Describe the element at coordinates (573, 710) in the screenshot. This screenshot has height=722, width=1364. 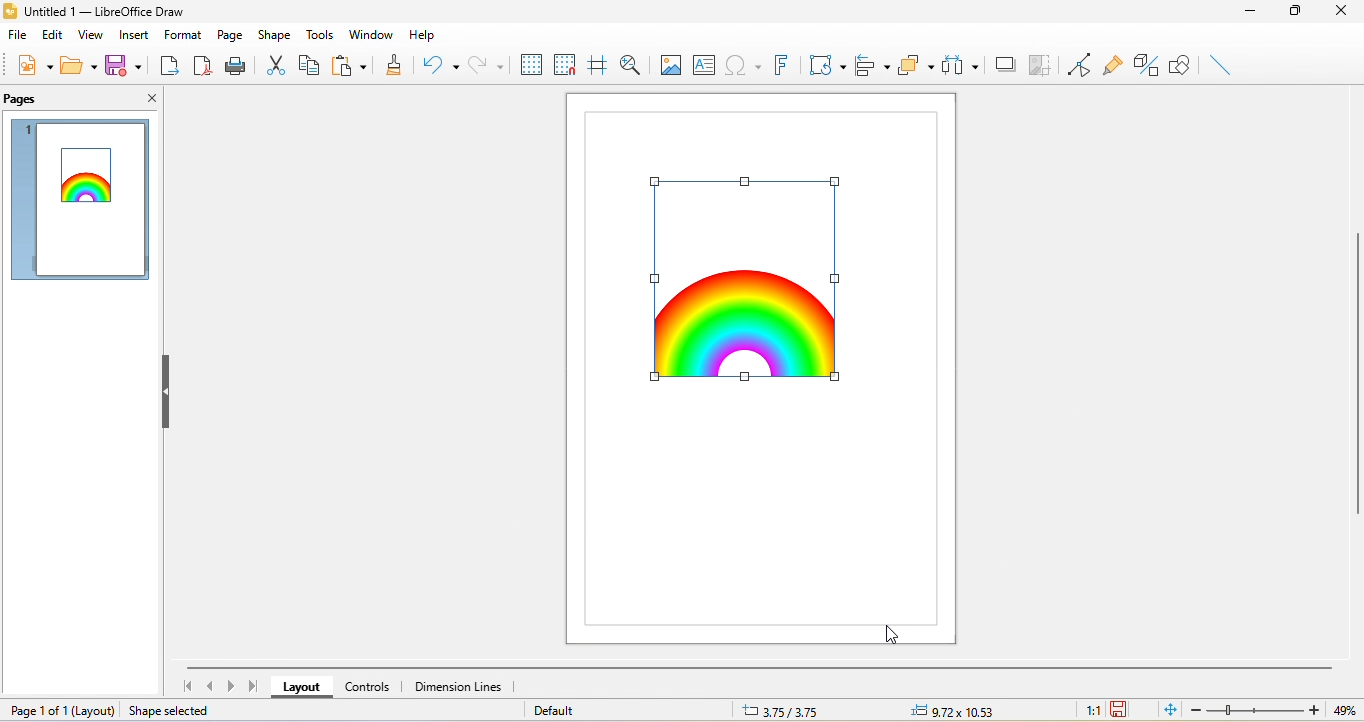
I see `default` at that location.